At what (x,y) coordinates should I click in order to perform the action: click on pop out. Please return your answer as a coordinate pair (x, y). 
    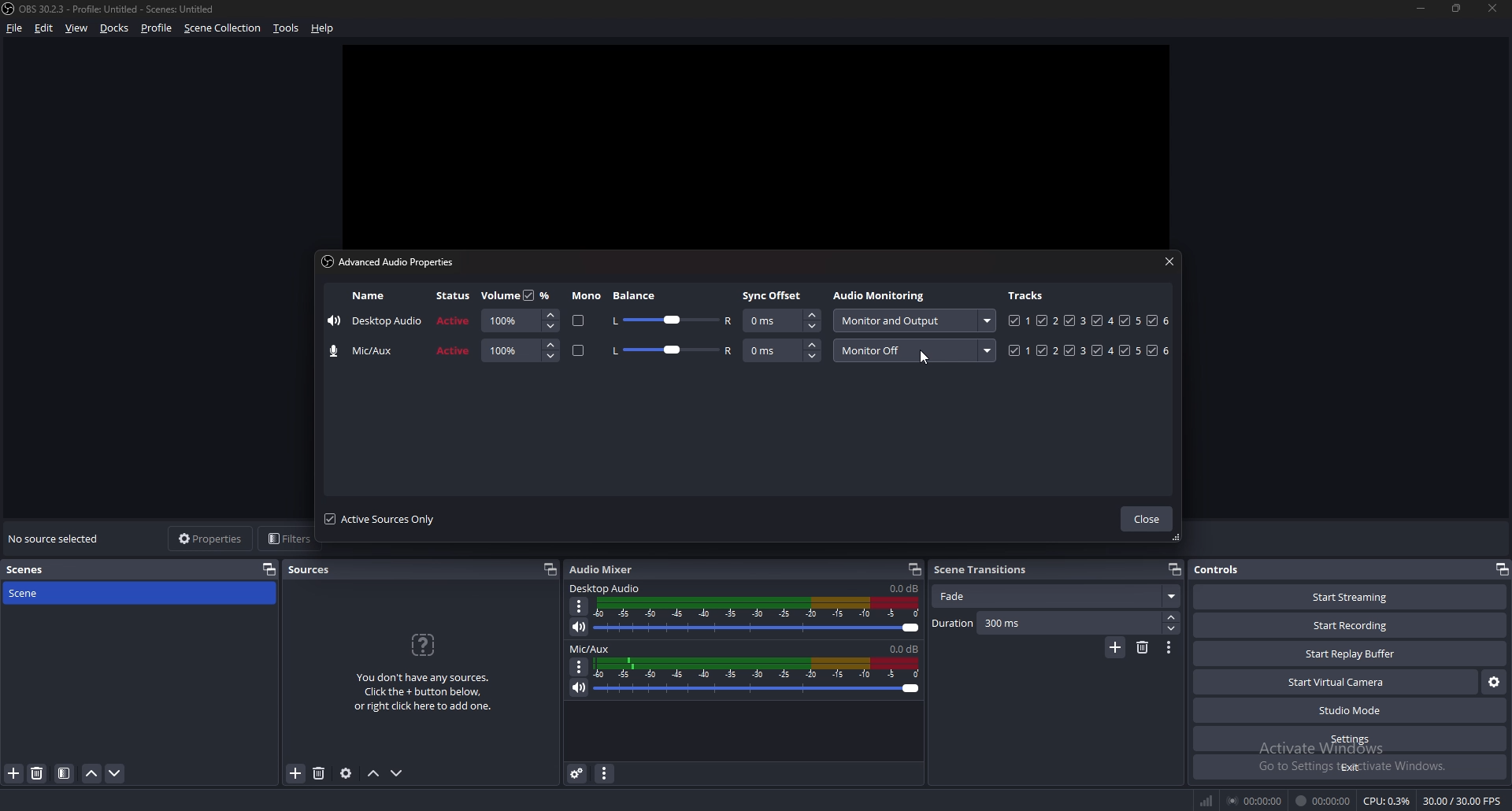
    Looking at the image, I should click on (269, 569).